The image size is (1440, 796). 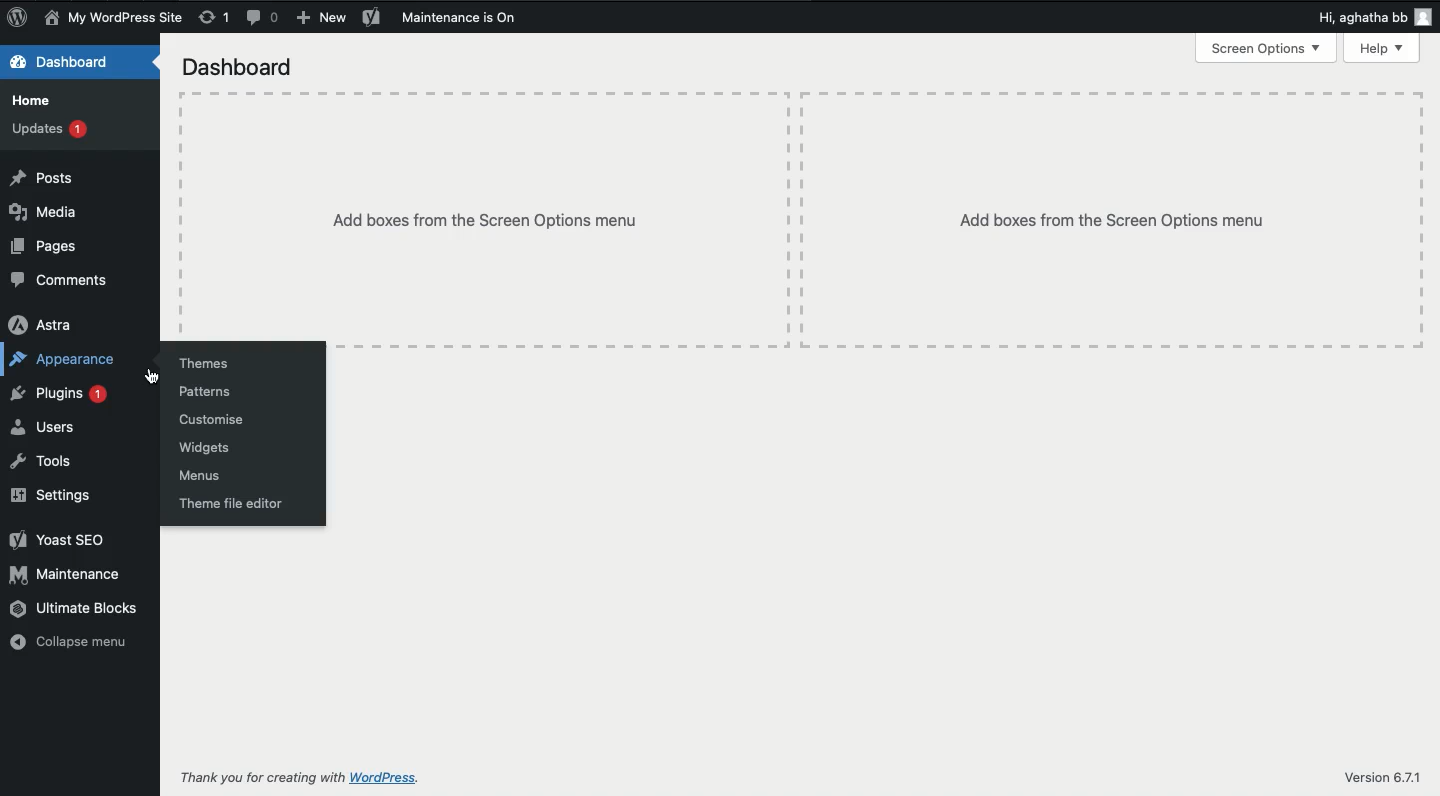 I want to click on Logo, so click(x=17, y=18).